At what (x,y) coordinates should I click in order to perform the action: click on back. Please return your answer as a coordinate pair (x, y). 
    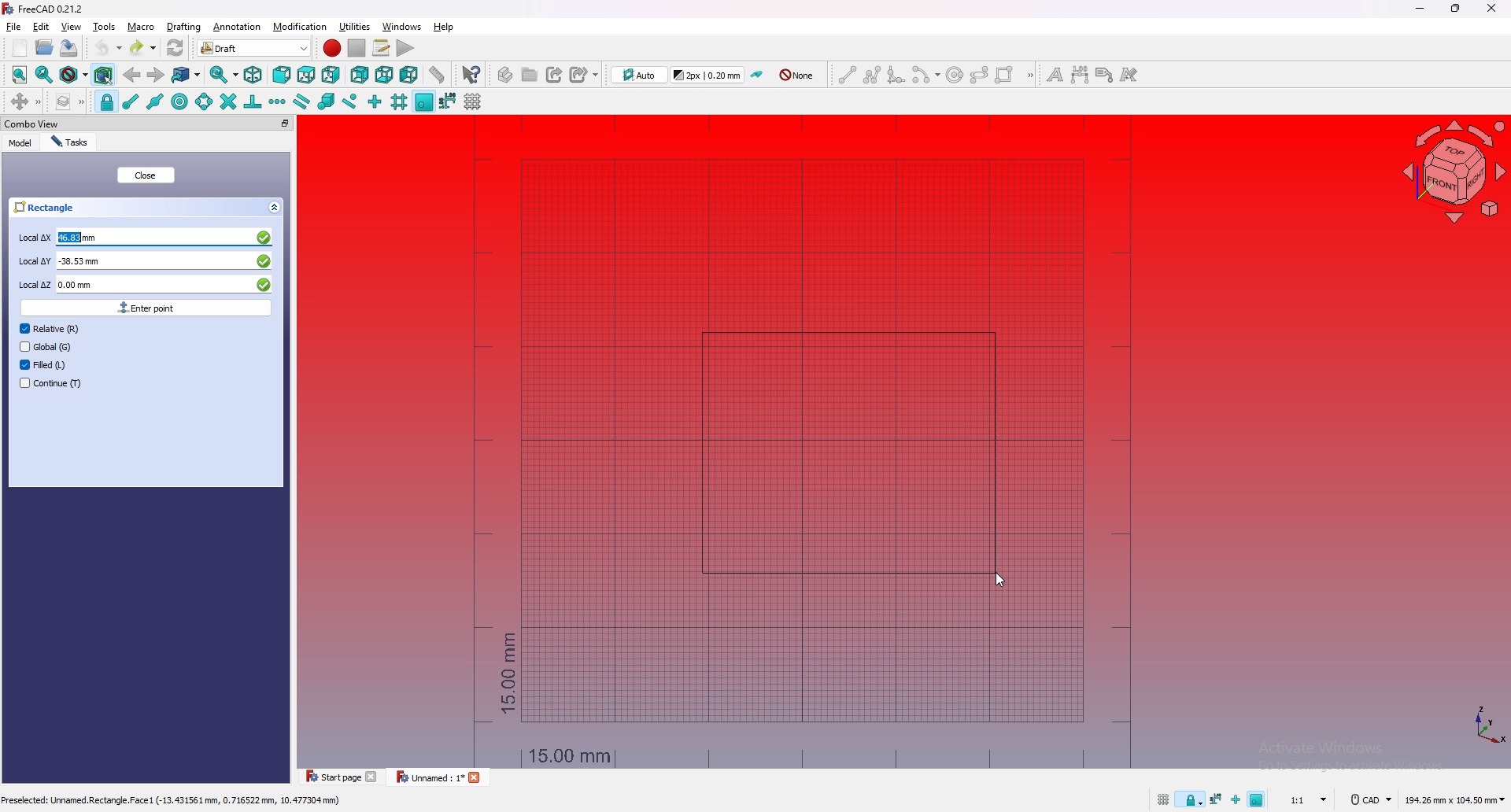
    Looking at the image, I should click on (131, 75).